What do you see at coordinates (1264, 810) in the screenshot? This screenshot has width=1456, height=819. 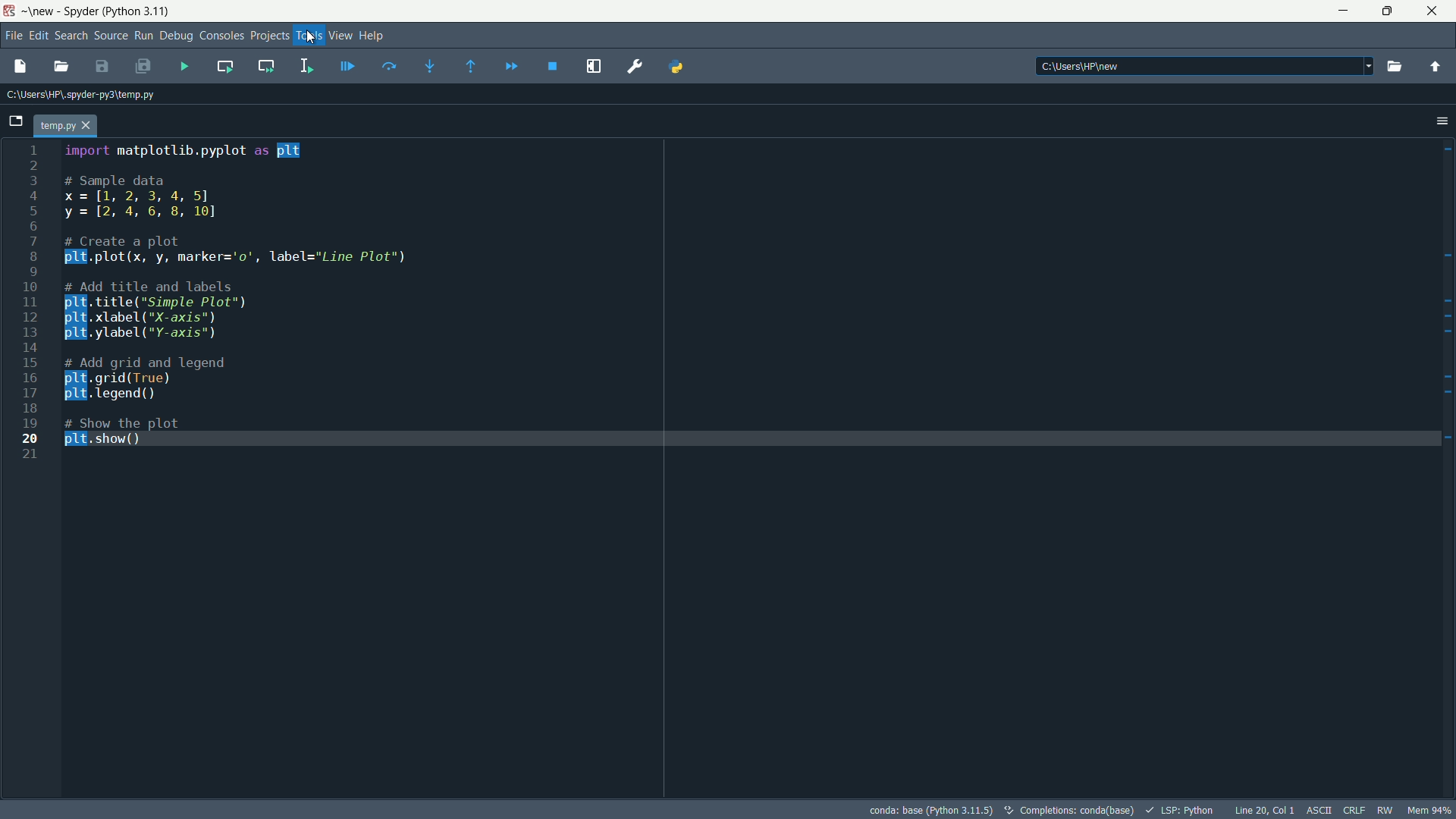 I see `cursor position` at bounding box center [1264, 810].